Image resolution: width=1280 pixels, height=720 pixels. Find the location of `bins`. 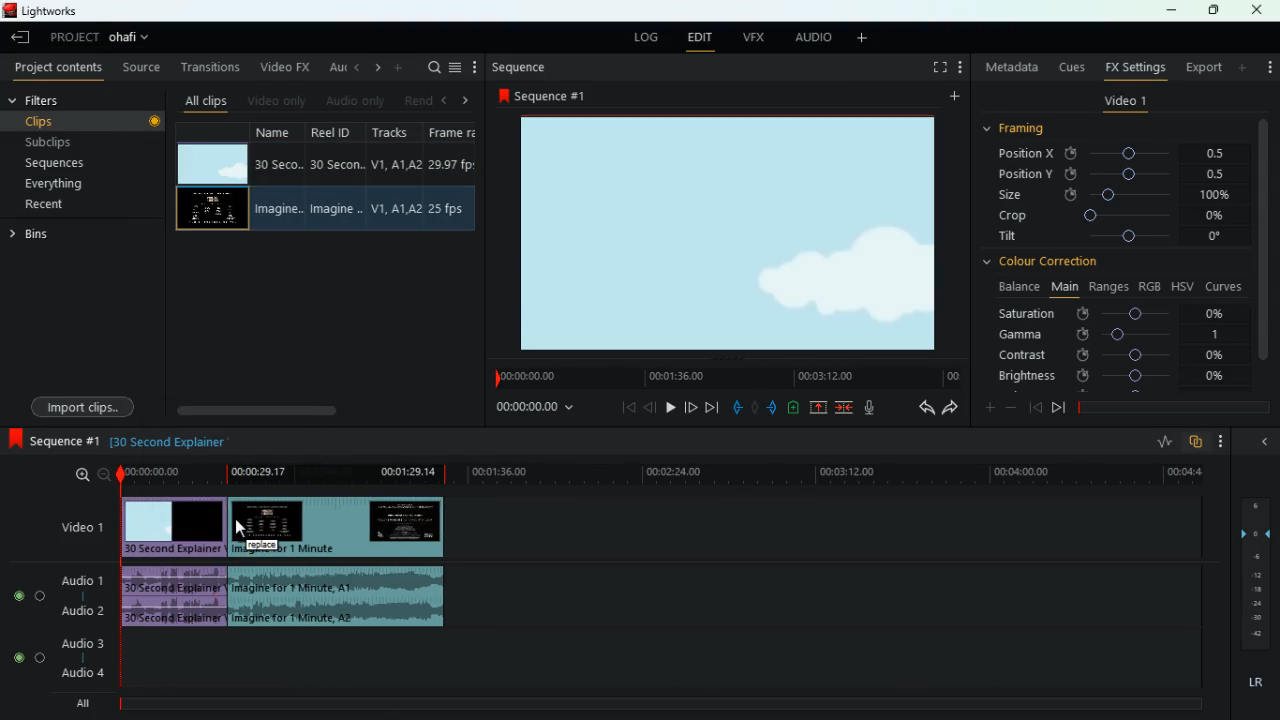

bins is located at coordinates (33, 237).